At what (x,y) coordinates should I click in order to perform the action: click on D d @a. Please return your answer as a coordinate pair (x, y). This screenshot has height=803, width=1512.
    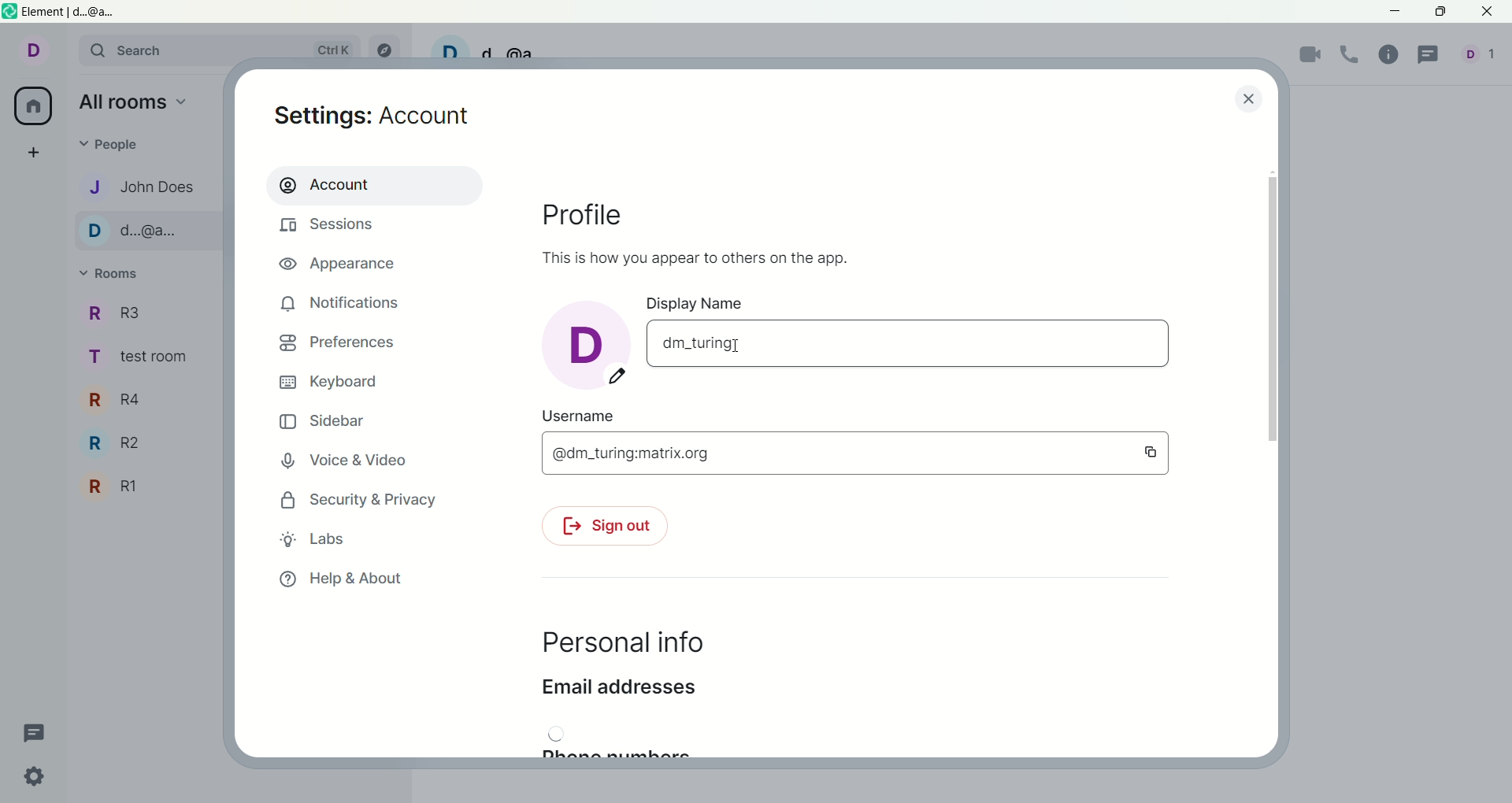
    Looking at the image, I should click on (484, 51).